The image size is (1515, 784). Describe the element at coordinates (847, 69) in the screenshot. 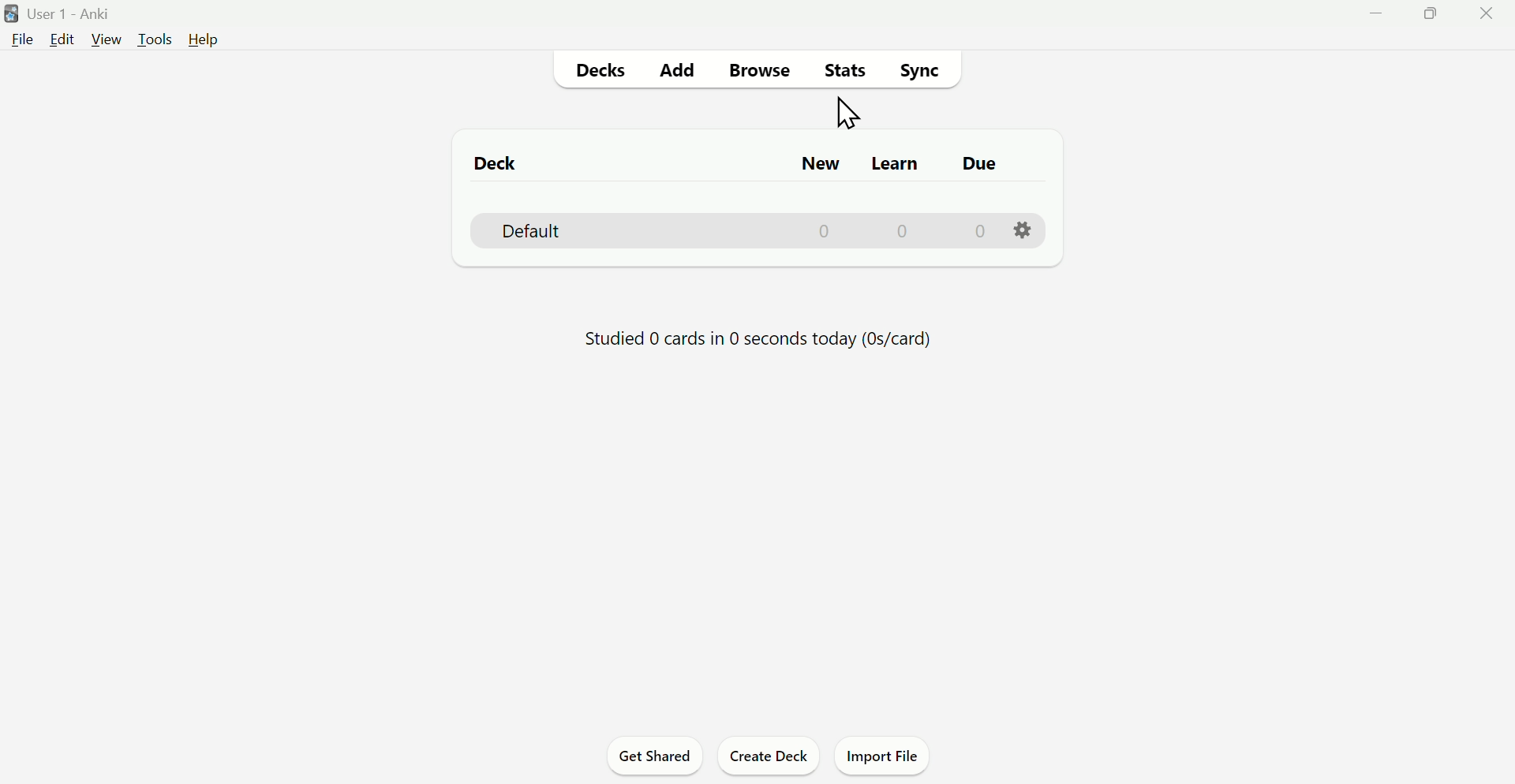

I see `Stats` at that location.